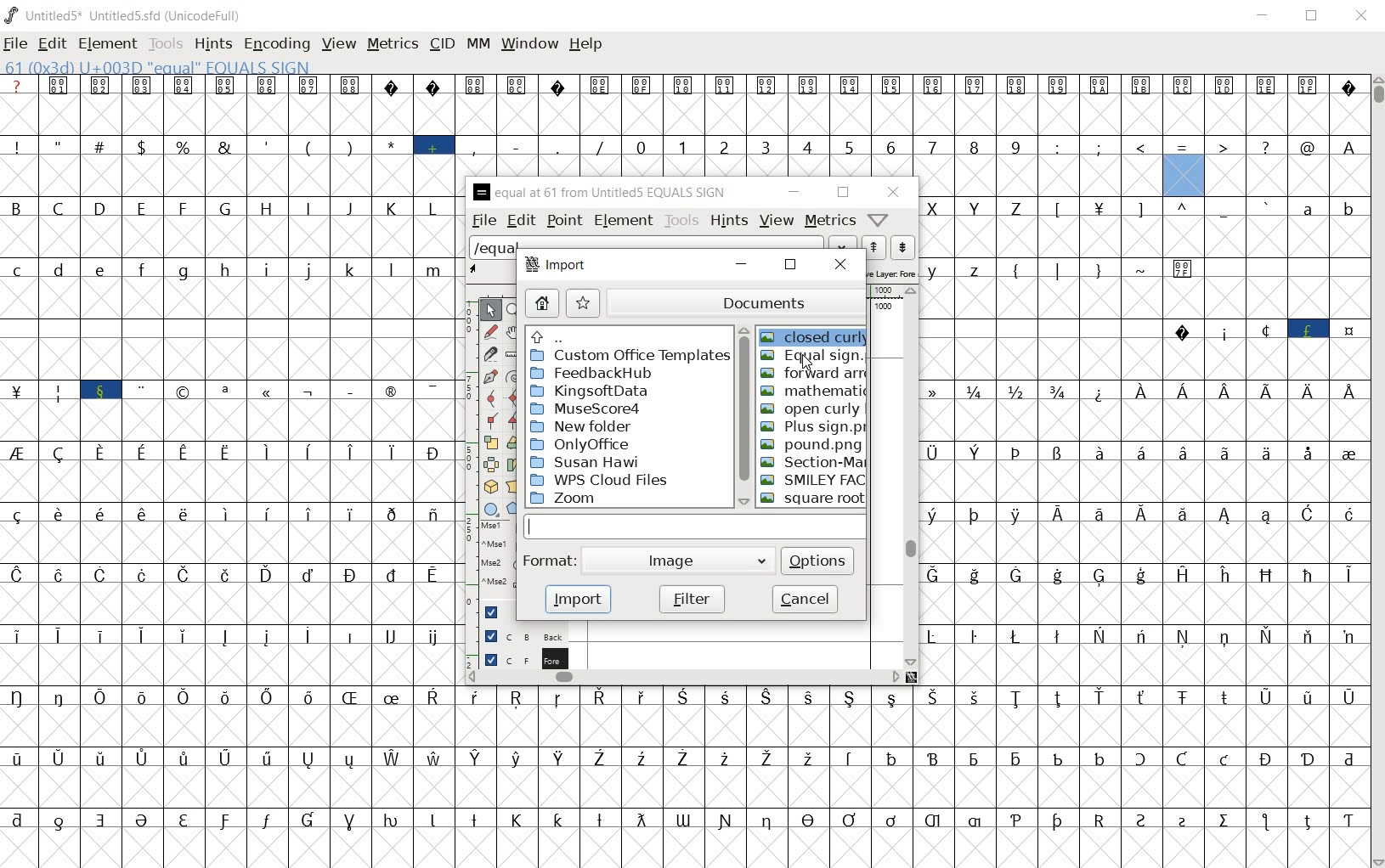 The image size is (1385, 868). I want to click on CLOSED CURLY, so click(814, 336).